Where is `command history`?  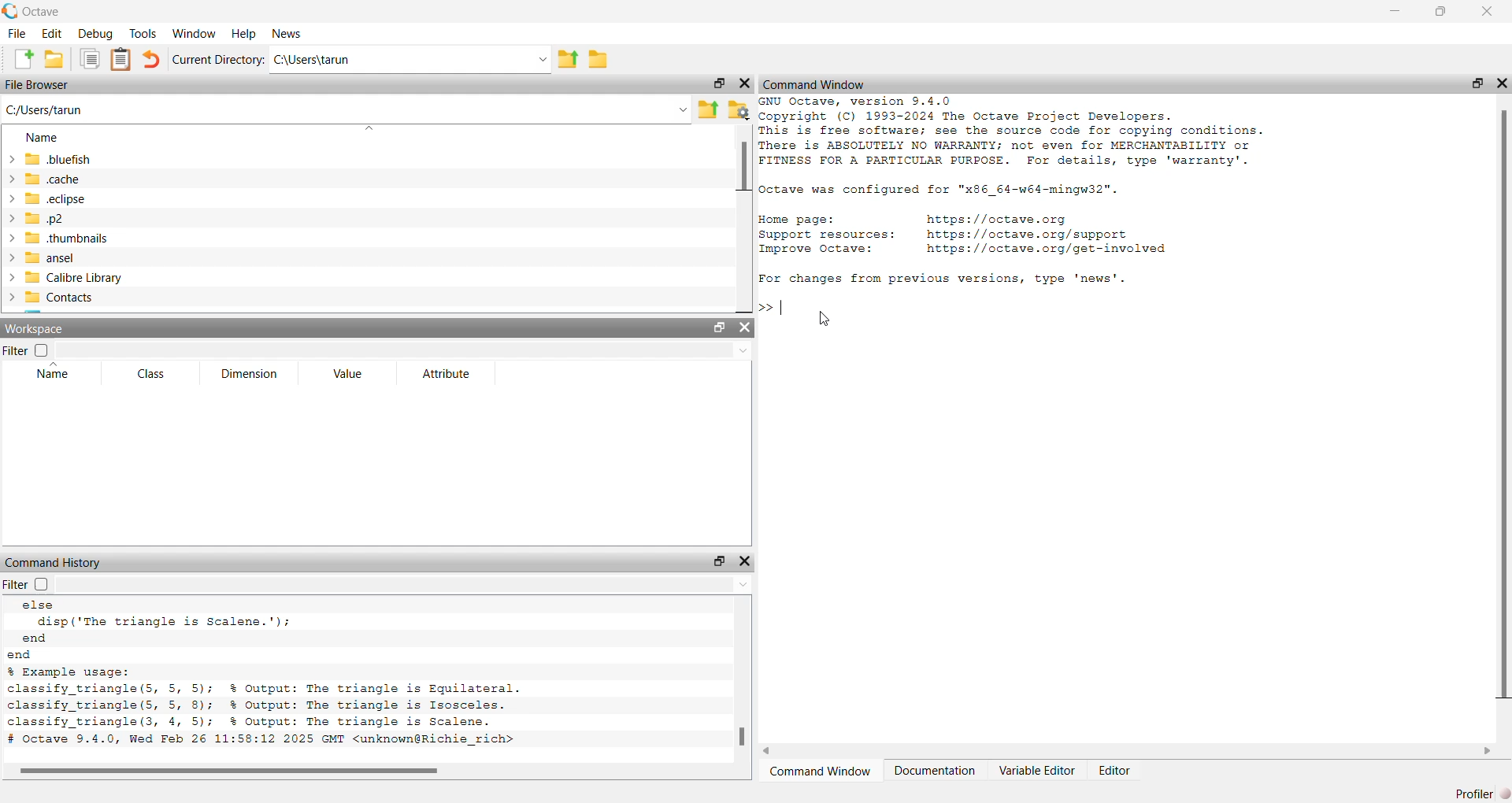 command history is located at coordinates (55, 562).